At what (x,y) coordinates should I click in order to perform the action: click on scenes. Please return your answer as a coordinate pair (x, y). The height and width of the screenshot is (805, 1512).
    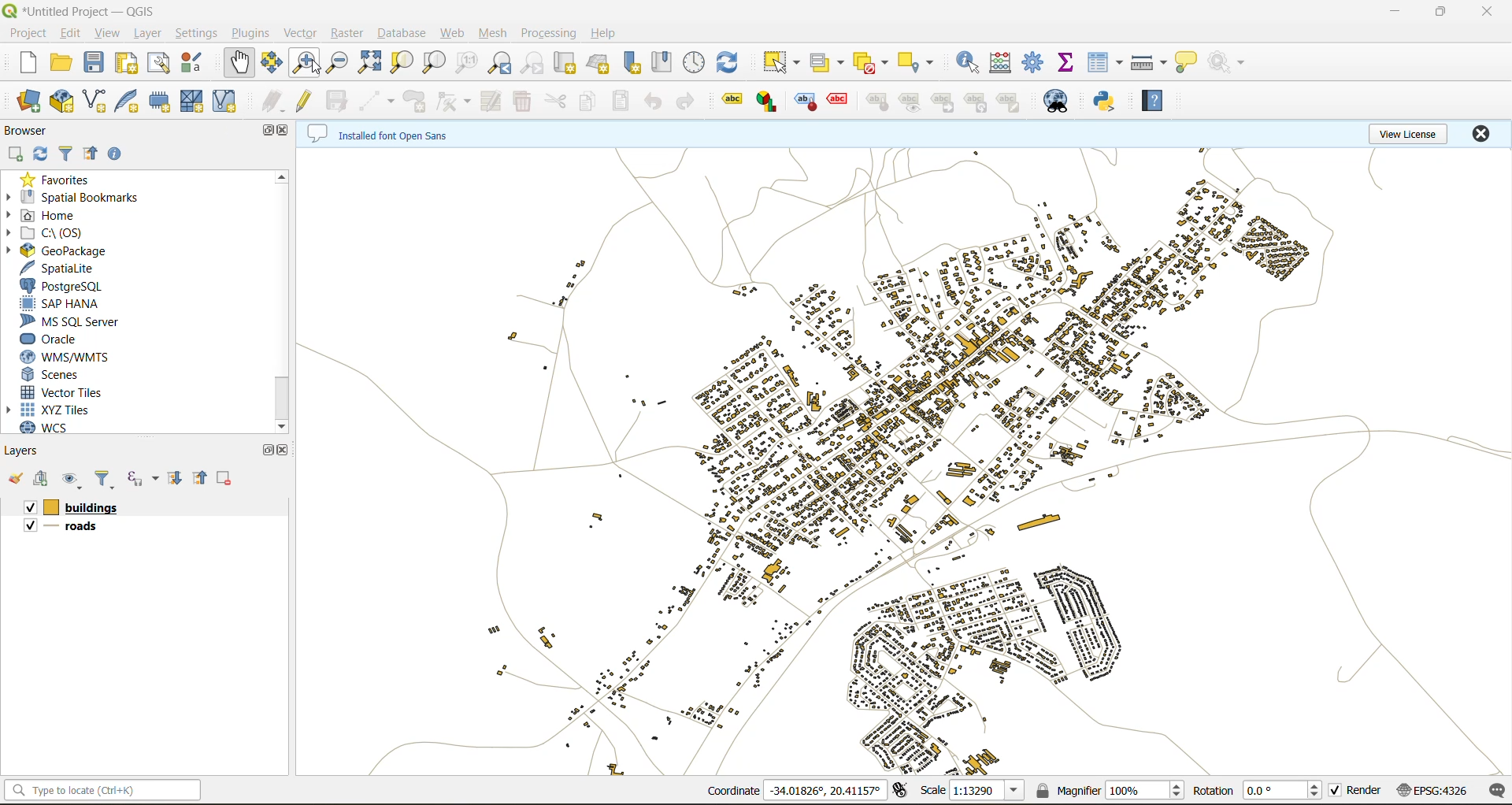
    Looking at the image, I should click on (55, 376).